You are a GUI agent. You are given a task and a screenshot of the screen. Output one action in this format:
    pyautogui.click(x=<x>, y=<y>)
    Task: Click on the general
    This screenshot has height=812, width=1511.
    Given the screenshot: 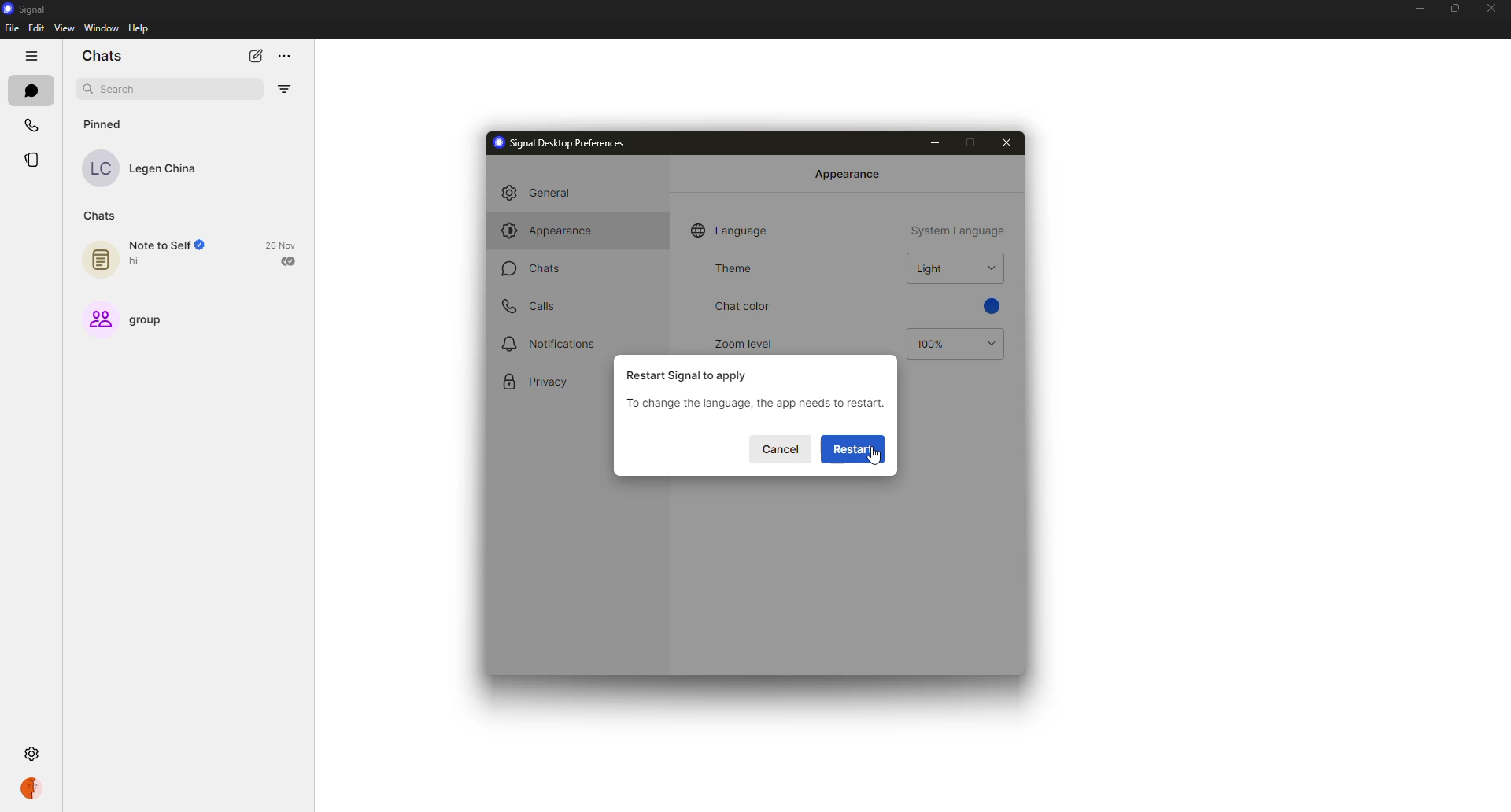 What is the action you would take?
    pyautogui.click(x=548, y=194)
    